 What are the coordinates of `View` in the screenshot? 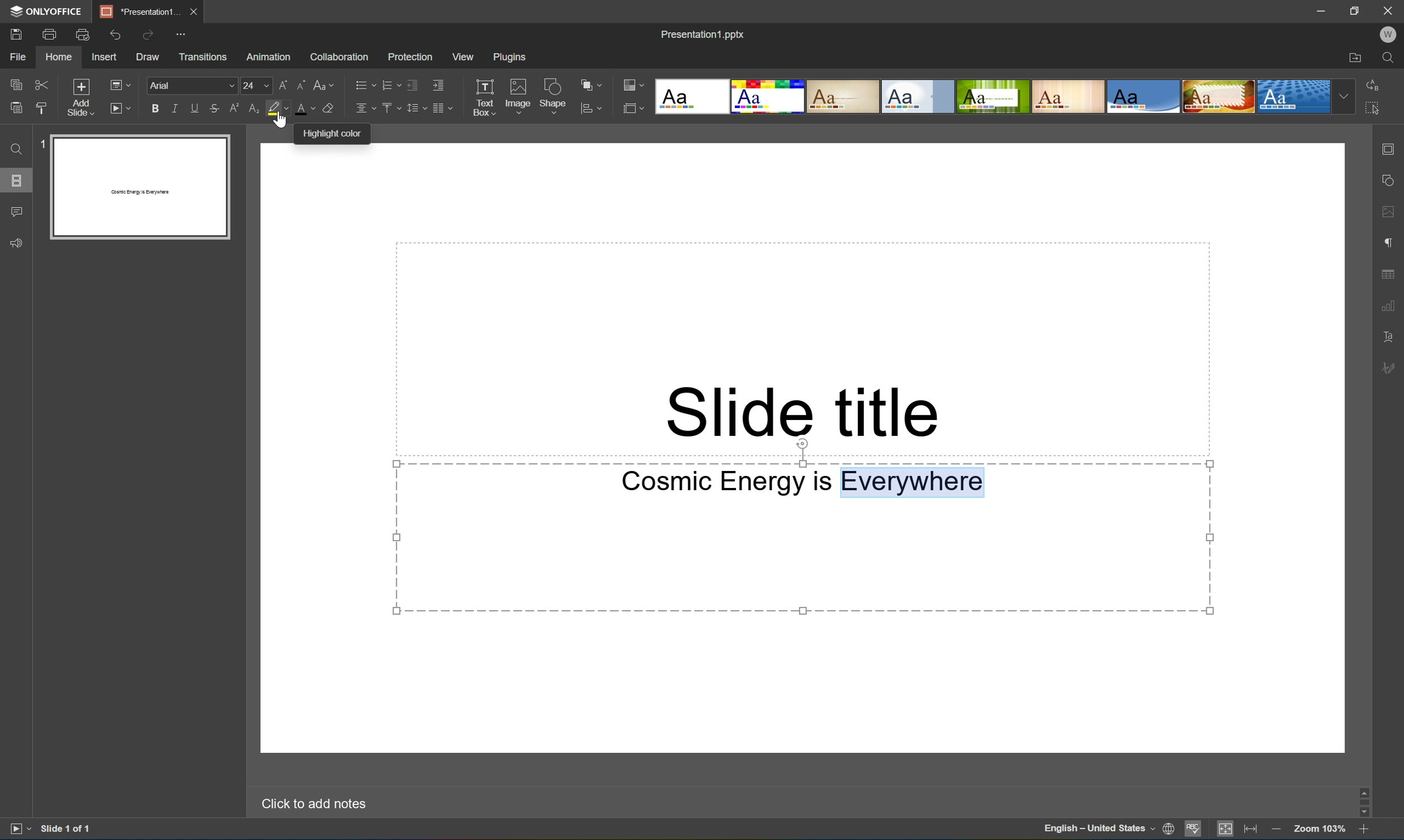 It's located at (464, 58).